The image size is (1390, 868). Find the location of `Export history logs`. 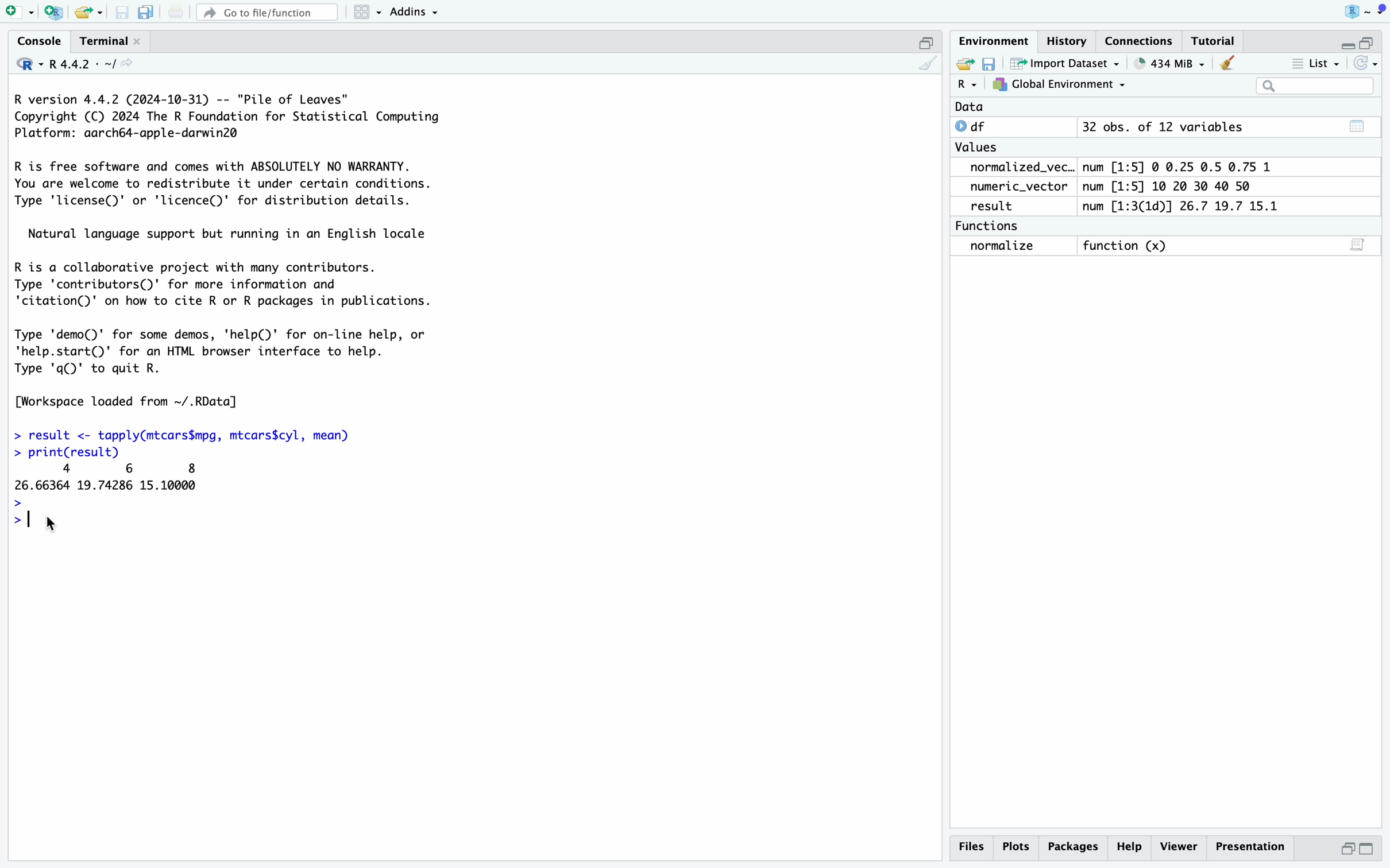

Export history logs is located at coordinates (964, 63).